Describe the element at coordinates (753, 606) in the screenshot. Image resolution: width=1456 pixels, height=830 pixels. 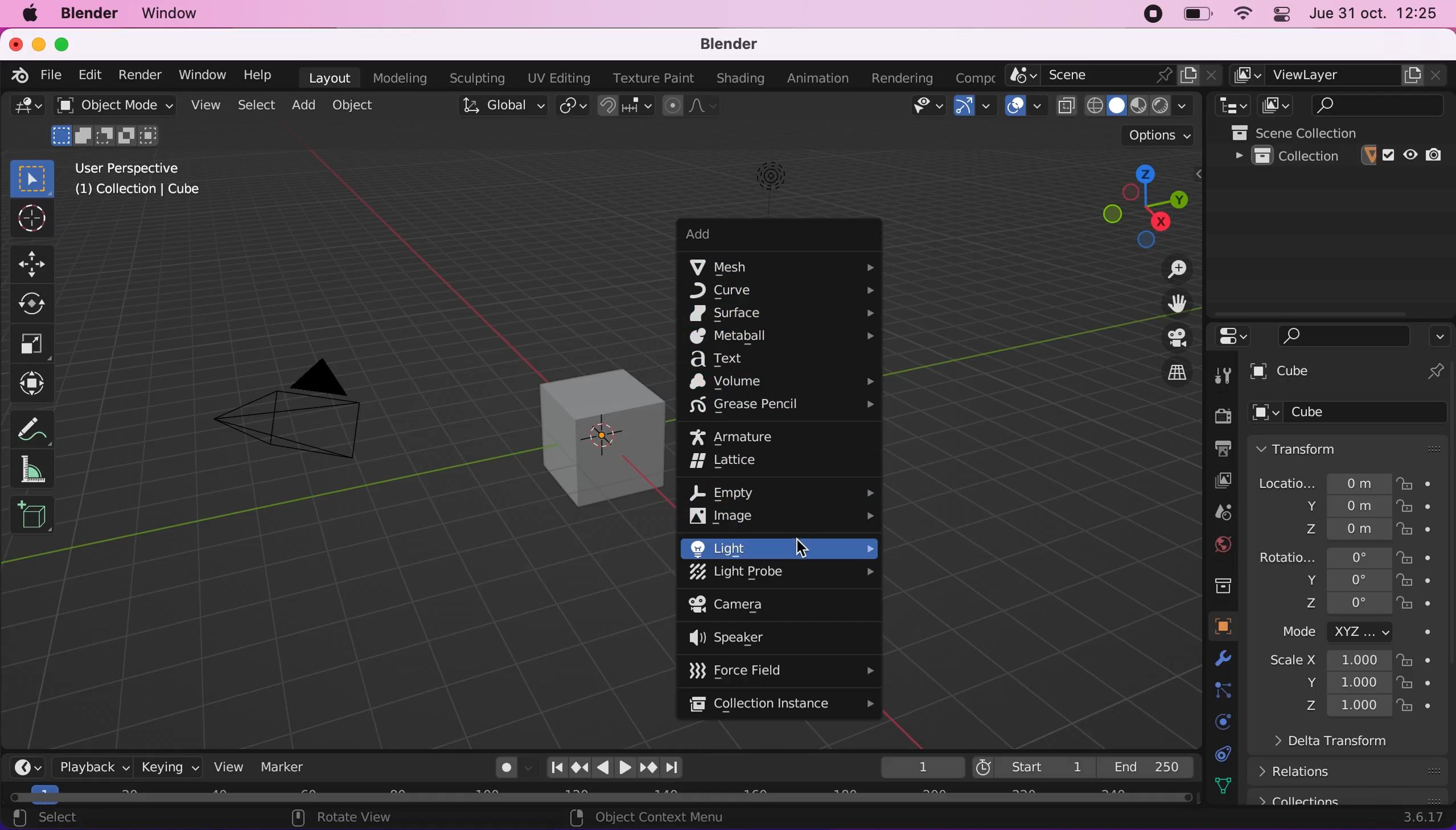
I see `camera` at that location.